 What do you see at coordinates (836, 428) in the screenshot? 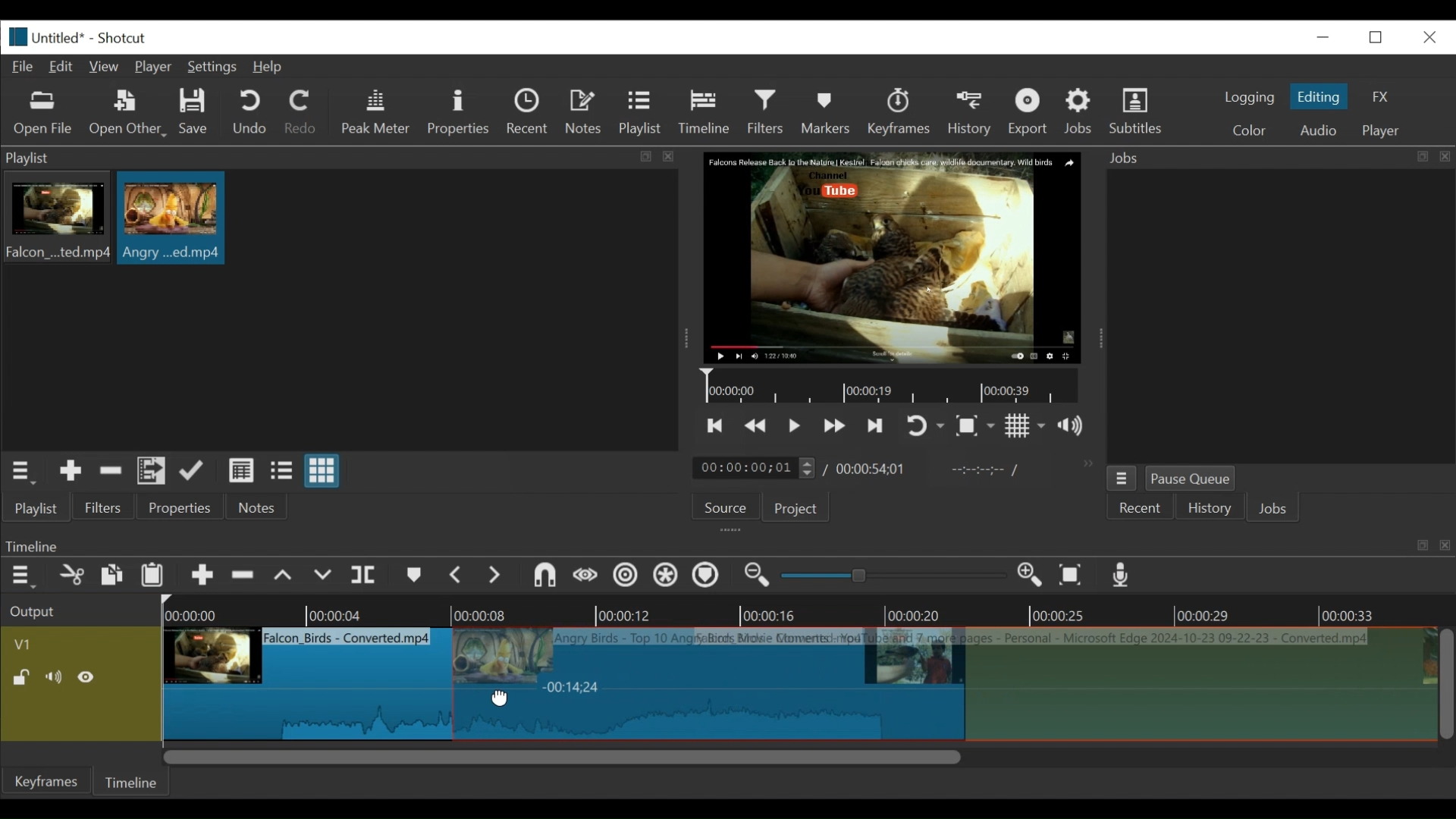
I see `play forward quickly` at bounding box center [836, 428].